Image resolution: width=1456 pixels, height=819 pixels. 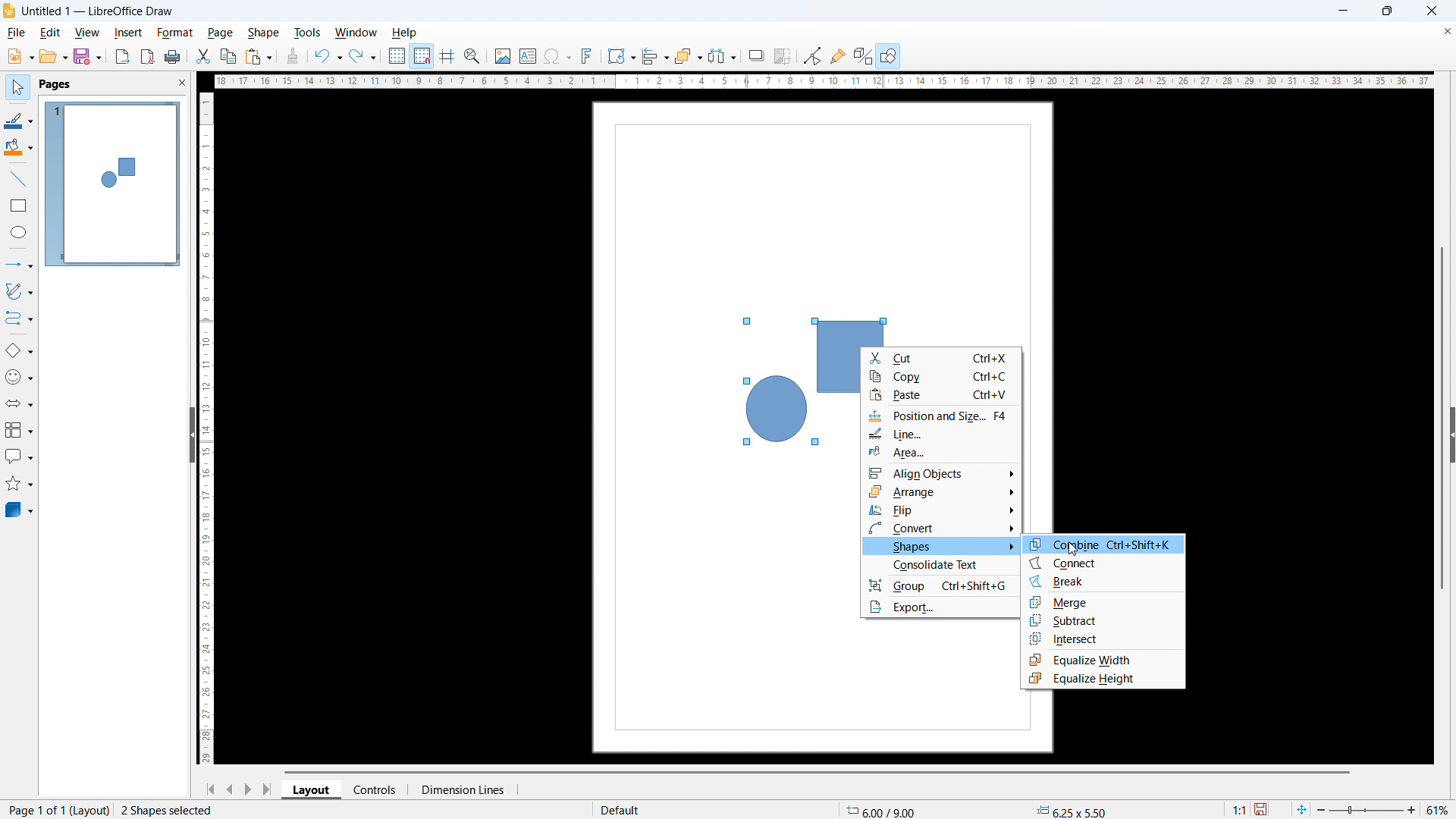 I want to click on expand sidebar, so click(x=1451, y=435).